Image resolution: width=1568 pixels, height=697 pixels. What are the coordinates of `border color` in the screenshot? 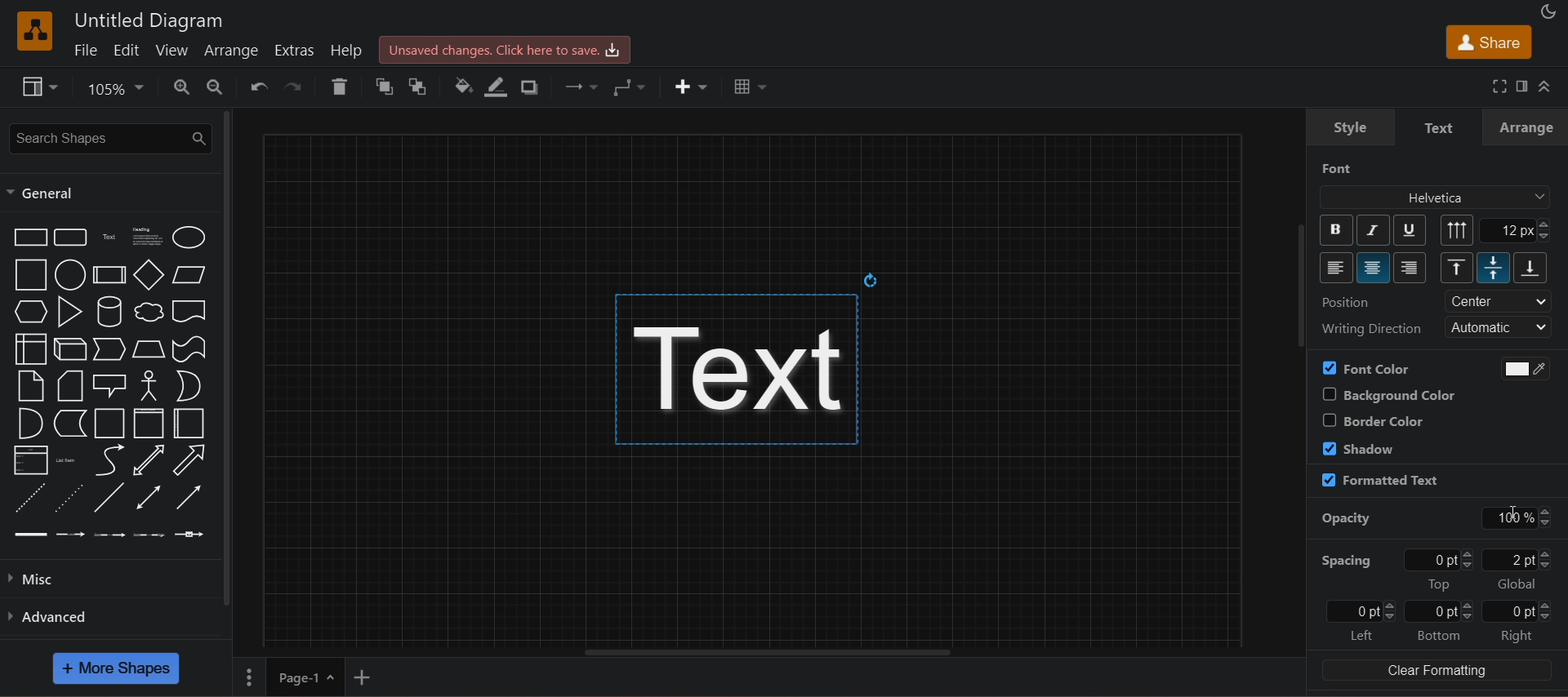 It's located at (1372, 420).